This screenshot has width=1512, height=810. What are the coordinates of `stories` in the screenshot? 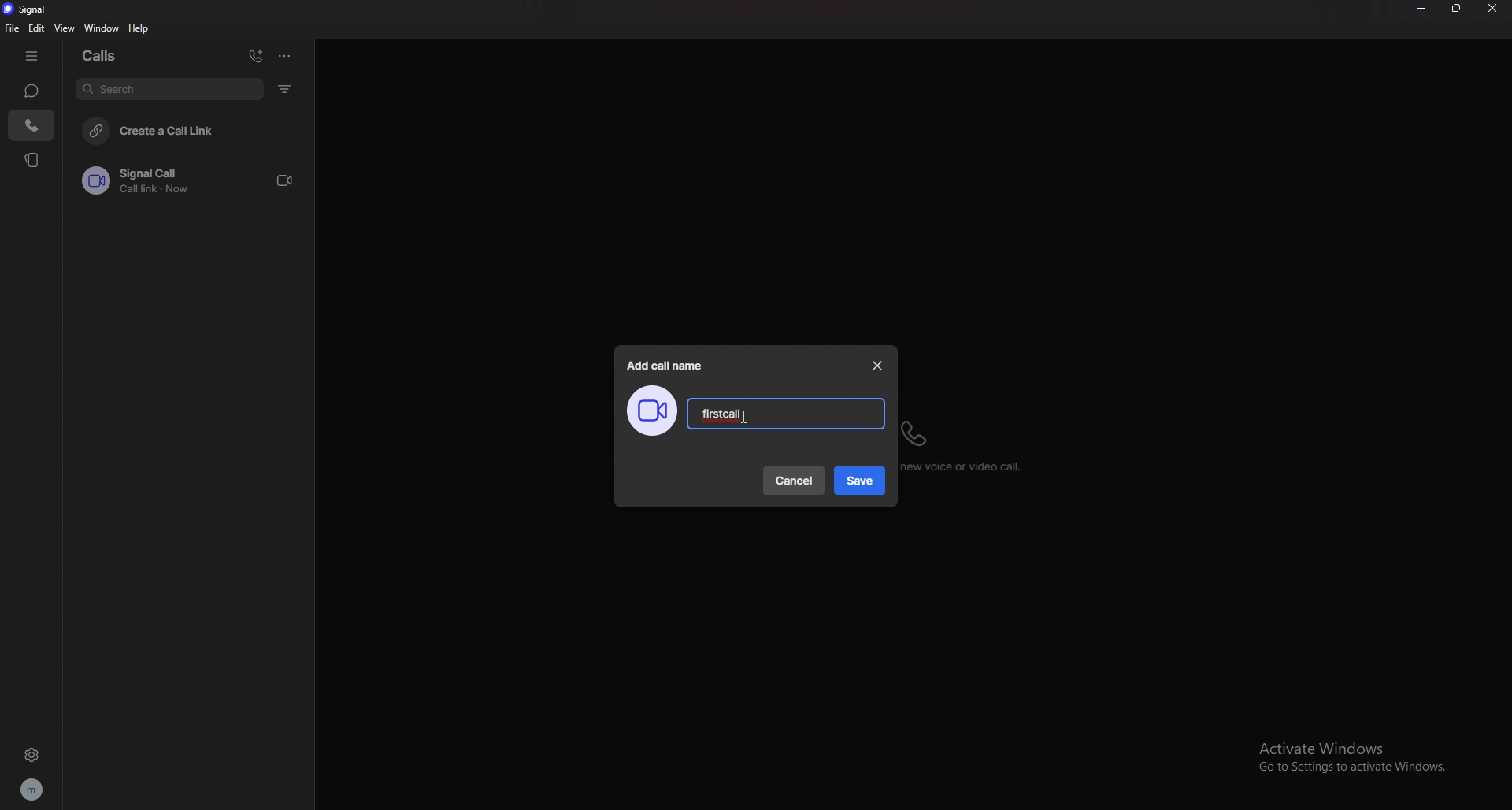 It's located at (33, 159).